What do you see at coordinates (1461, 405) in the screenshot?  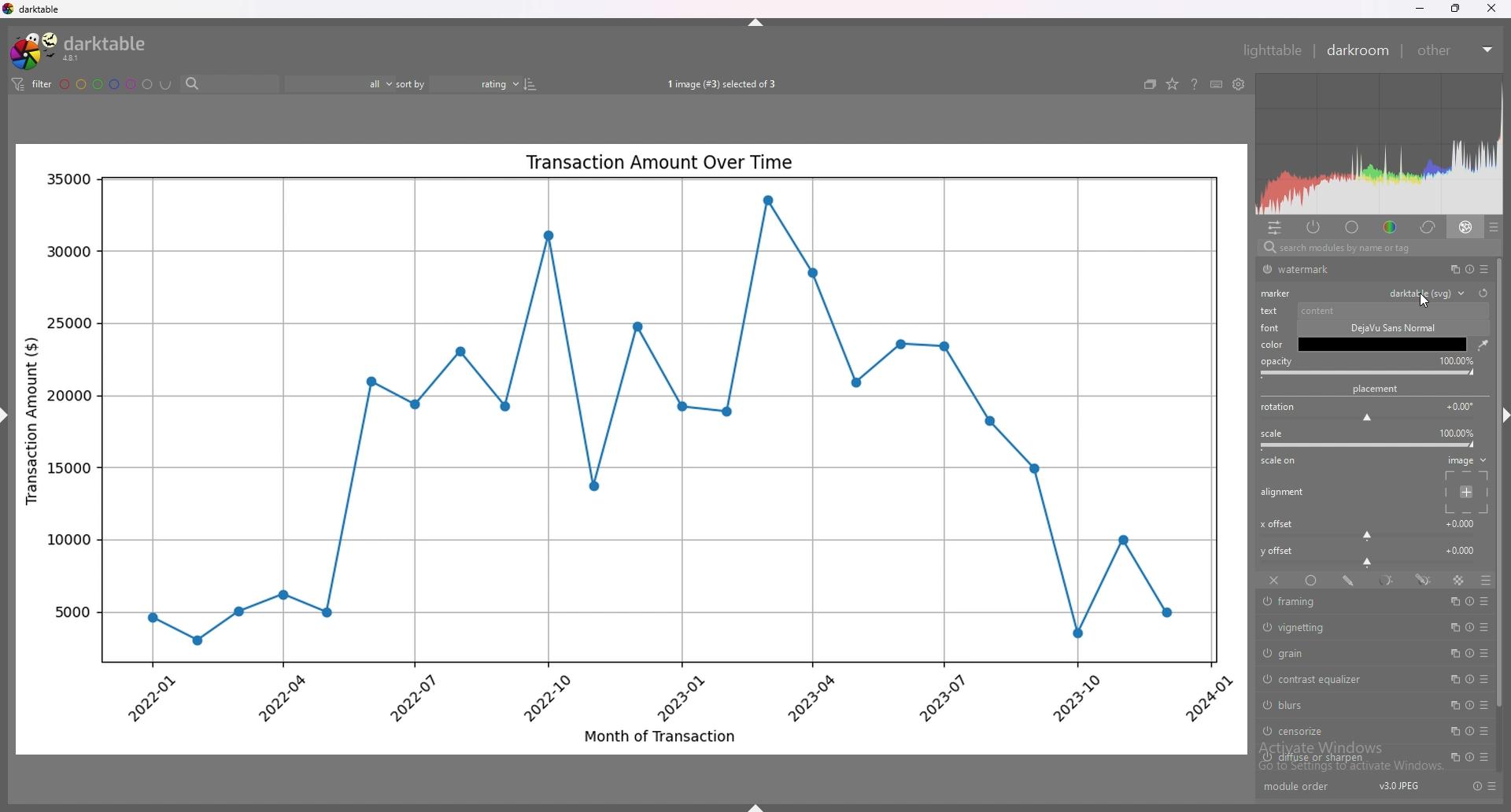 I see `rotation degrees` at bounding box center [1461, 405].